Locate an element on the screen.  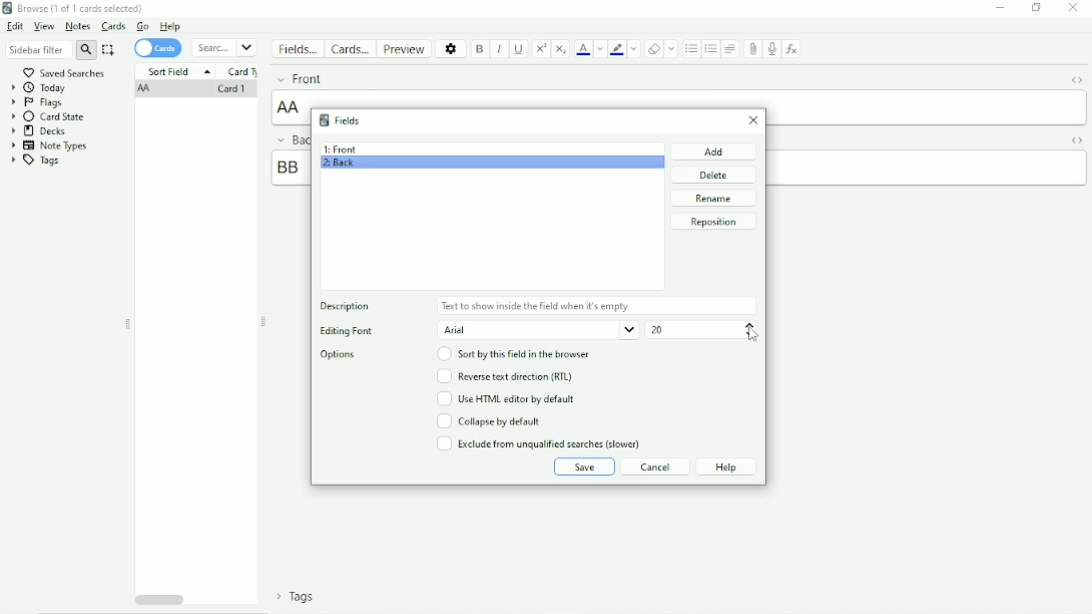
Reposition is located at coordinates (713, 222).